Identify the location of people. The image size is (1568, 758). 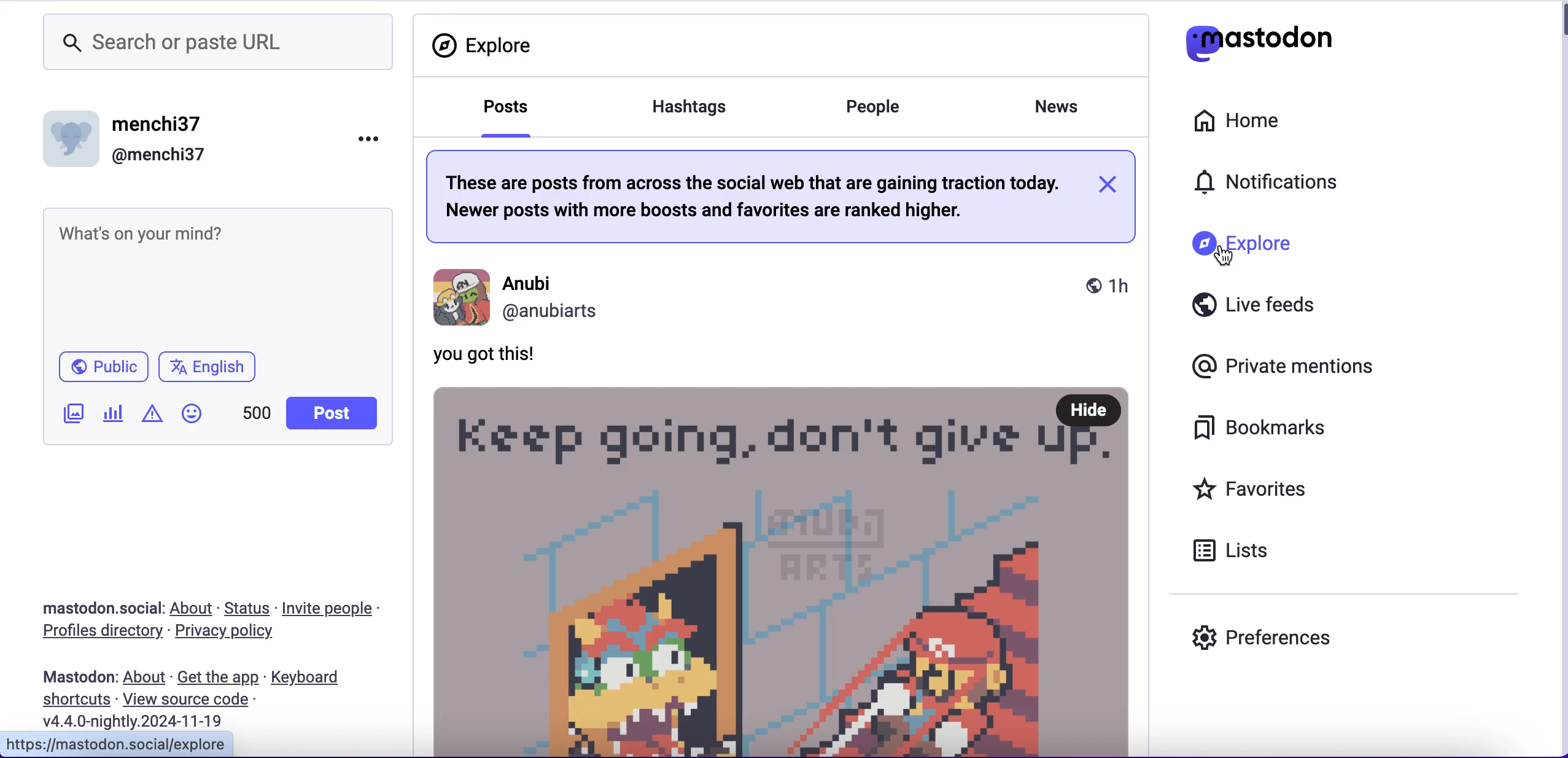
(882, 109).